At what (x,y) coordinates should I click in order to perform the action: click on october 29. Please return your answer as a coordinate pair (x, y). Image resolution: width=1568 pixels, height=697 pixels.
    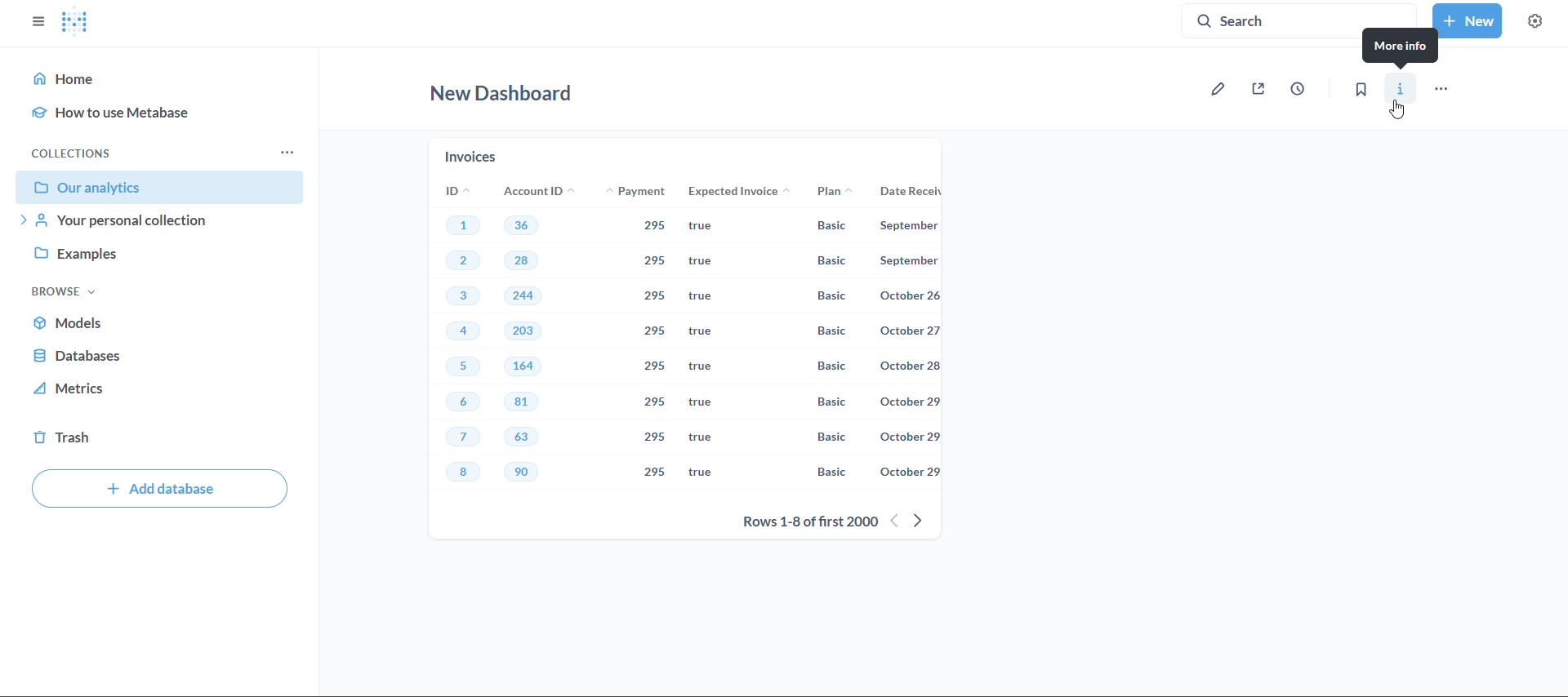
    Looking at the image, I should click on (909, 402).